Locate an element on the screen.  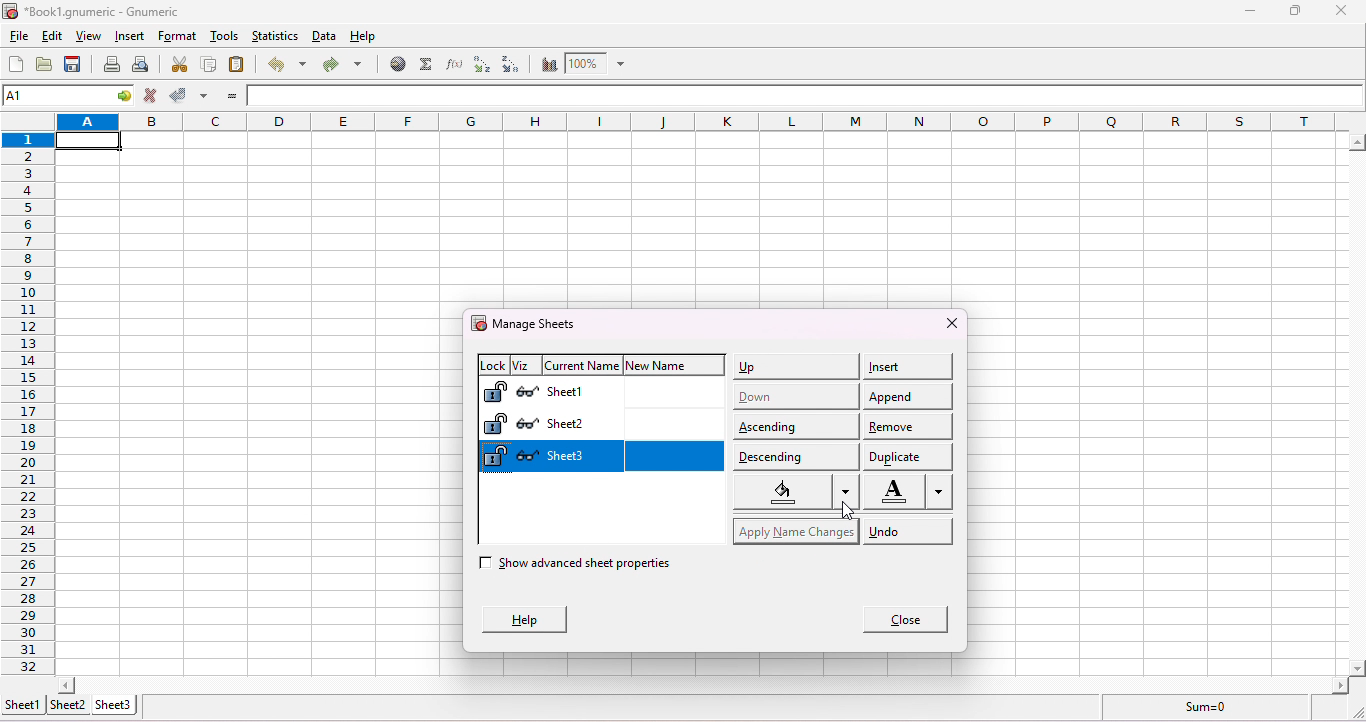
formula bar is located at coordinates (805, 95).